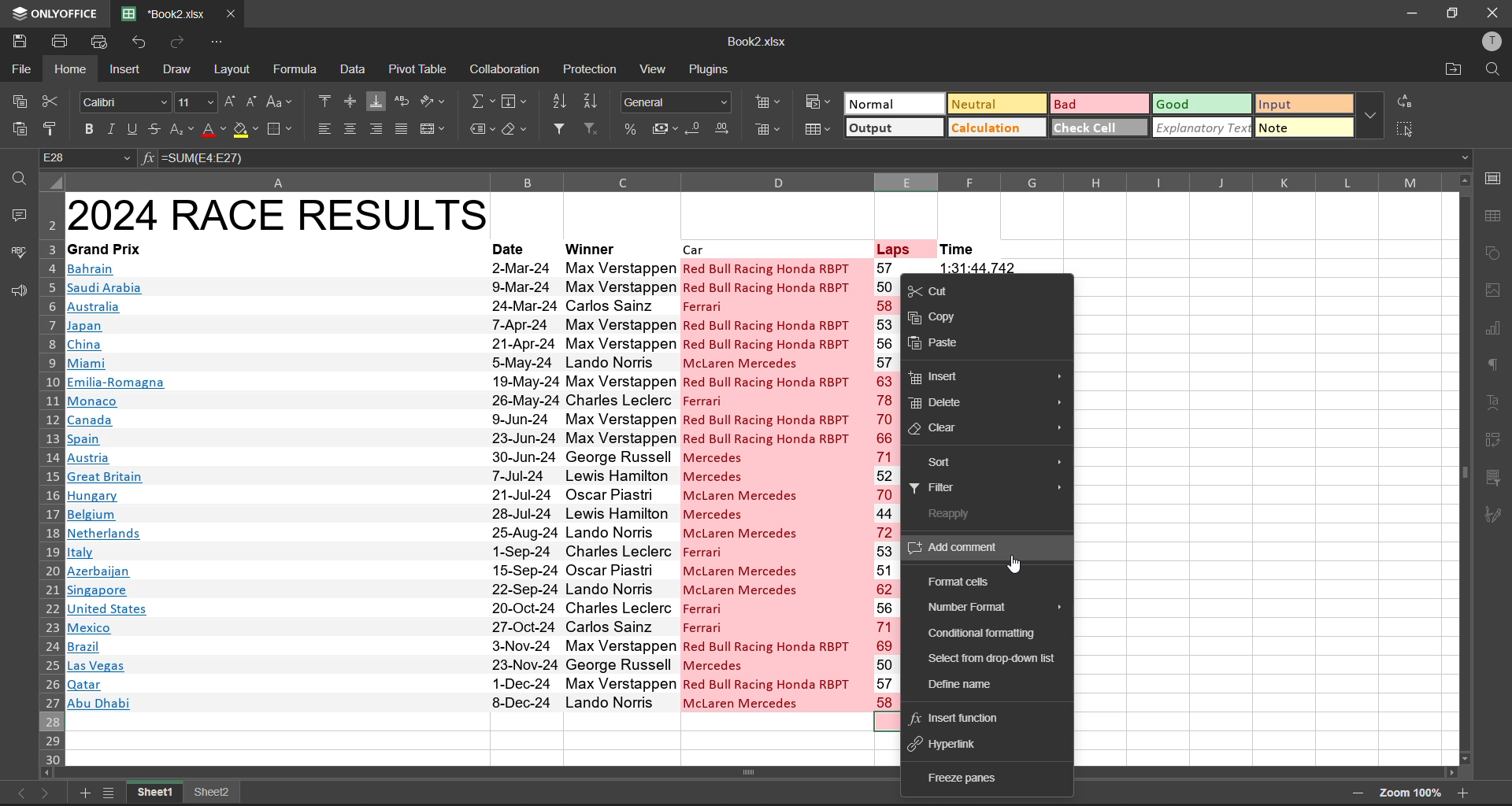  Describe the element at coordinates (279, 102) in the screenshot. I see `change case` at that location.